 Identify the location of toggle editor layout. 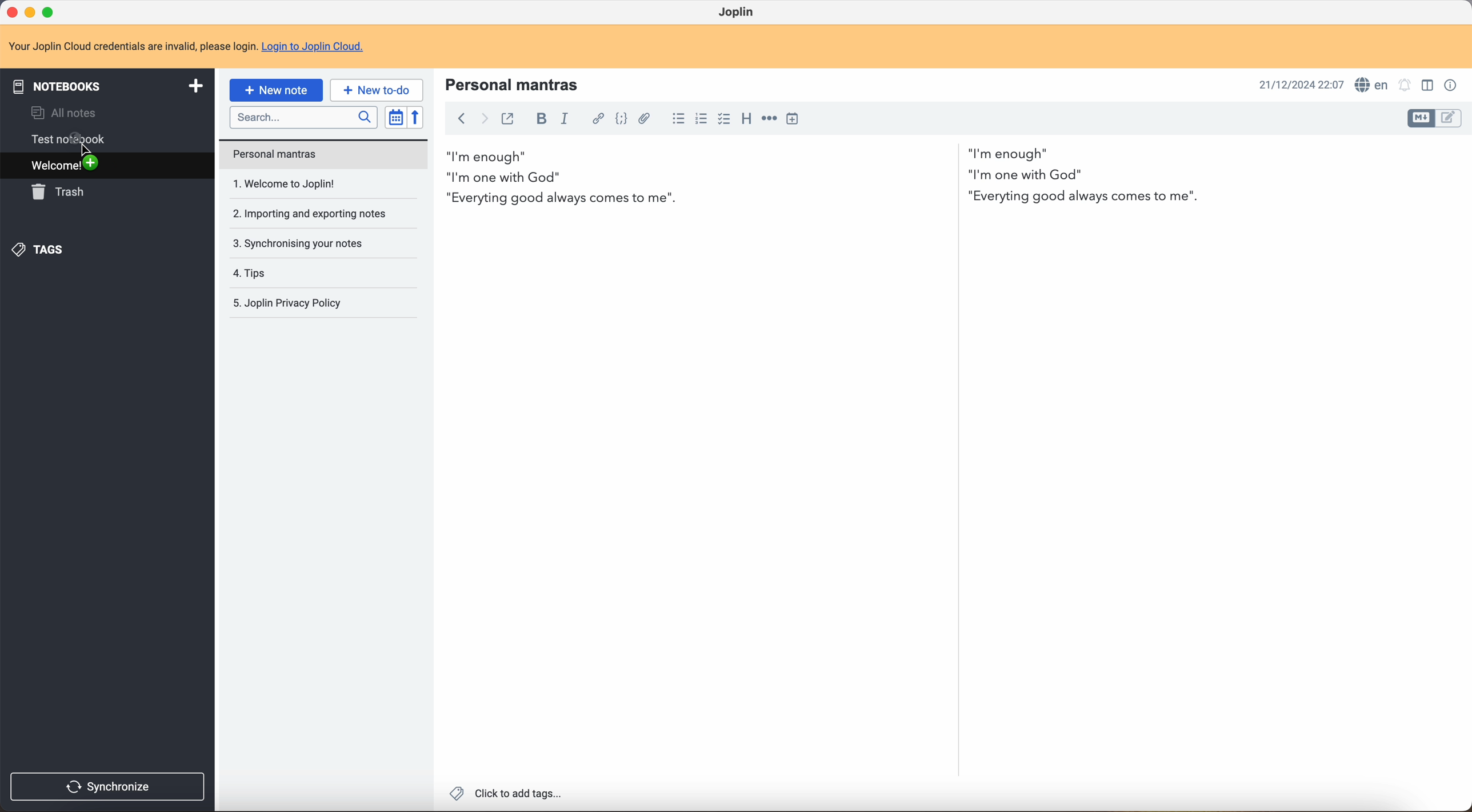
(1453, 117).